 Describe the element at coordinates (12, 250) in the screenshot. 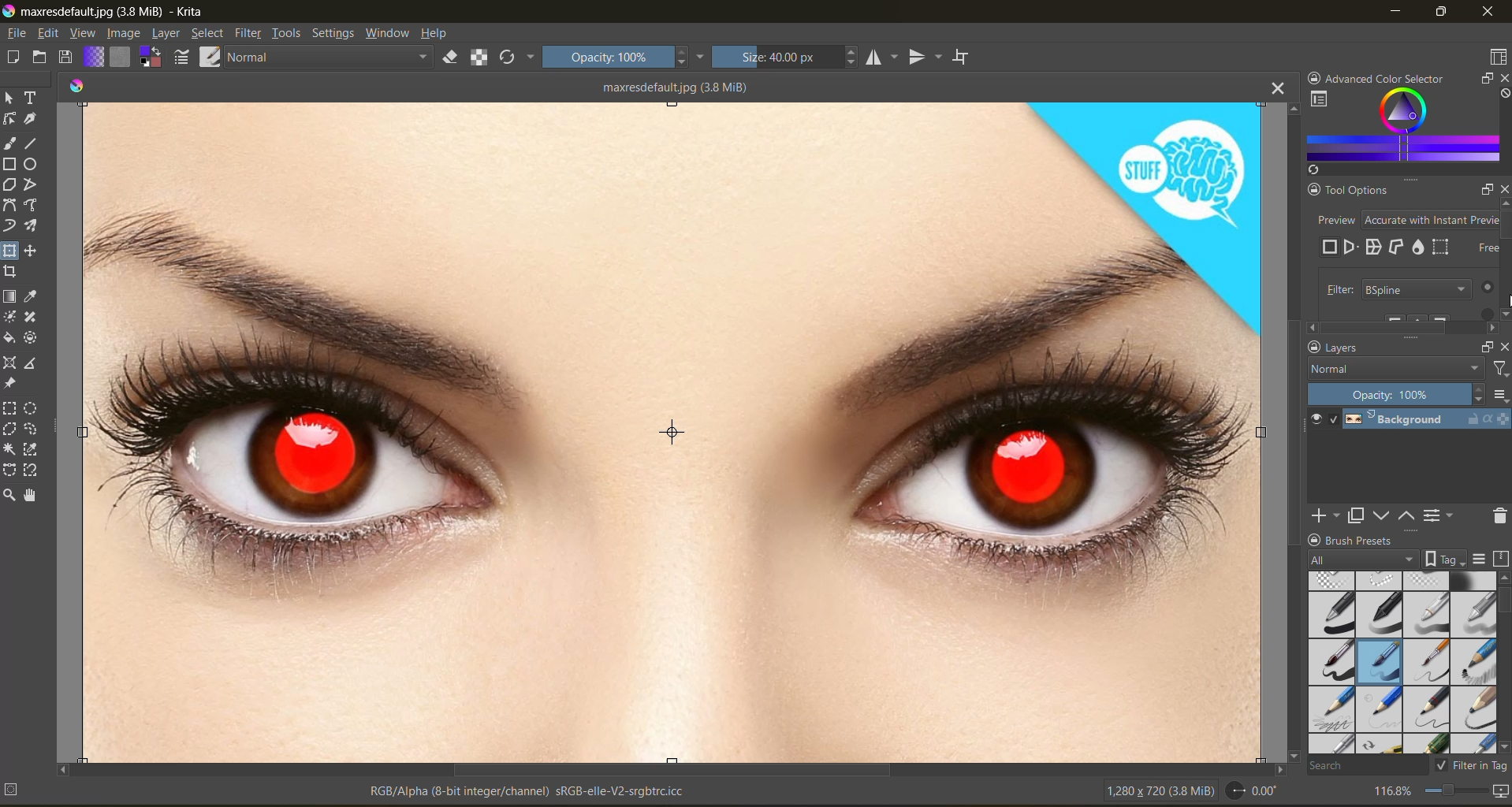

I see `tool` at that location.